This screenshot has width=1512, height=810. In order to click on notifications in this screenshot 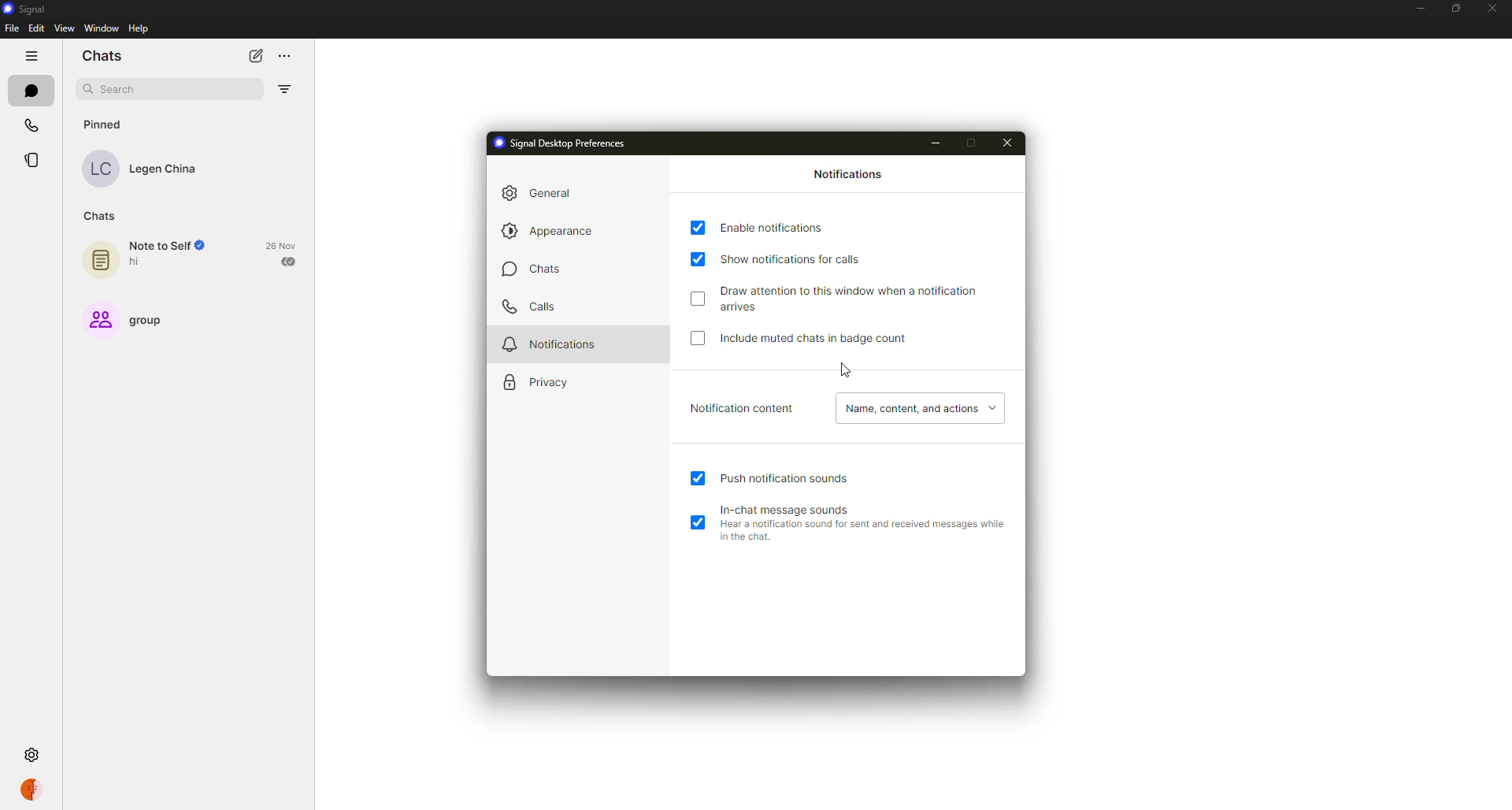, I will do `click(846, 174)`.